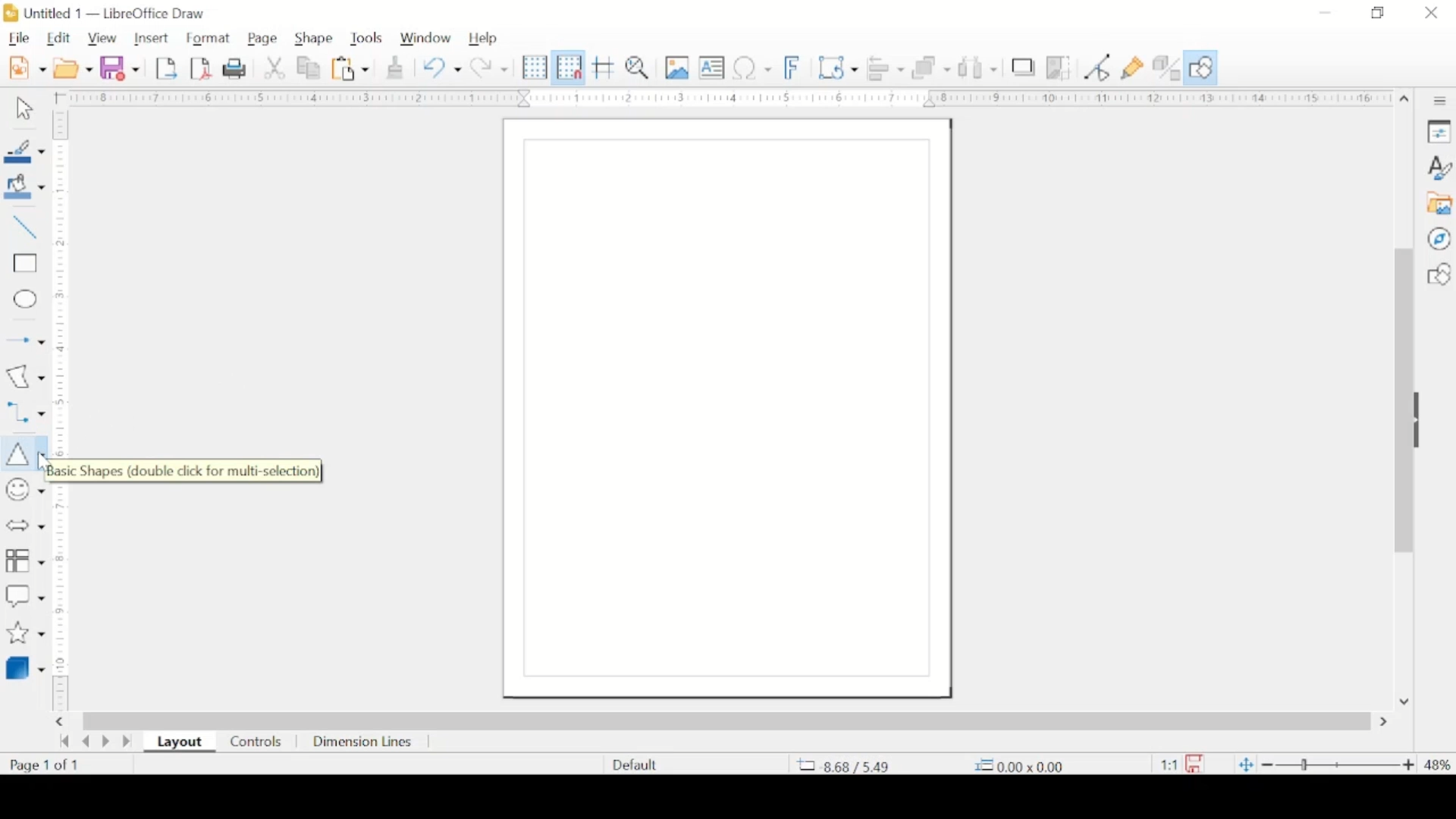 The width and height of the screenshot is (1456, 819). What do you see at coordinates (24, 300) in the screenshot?
I see `insert ellipse` at bounding box center [24, 300].